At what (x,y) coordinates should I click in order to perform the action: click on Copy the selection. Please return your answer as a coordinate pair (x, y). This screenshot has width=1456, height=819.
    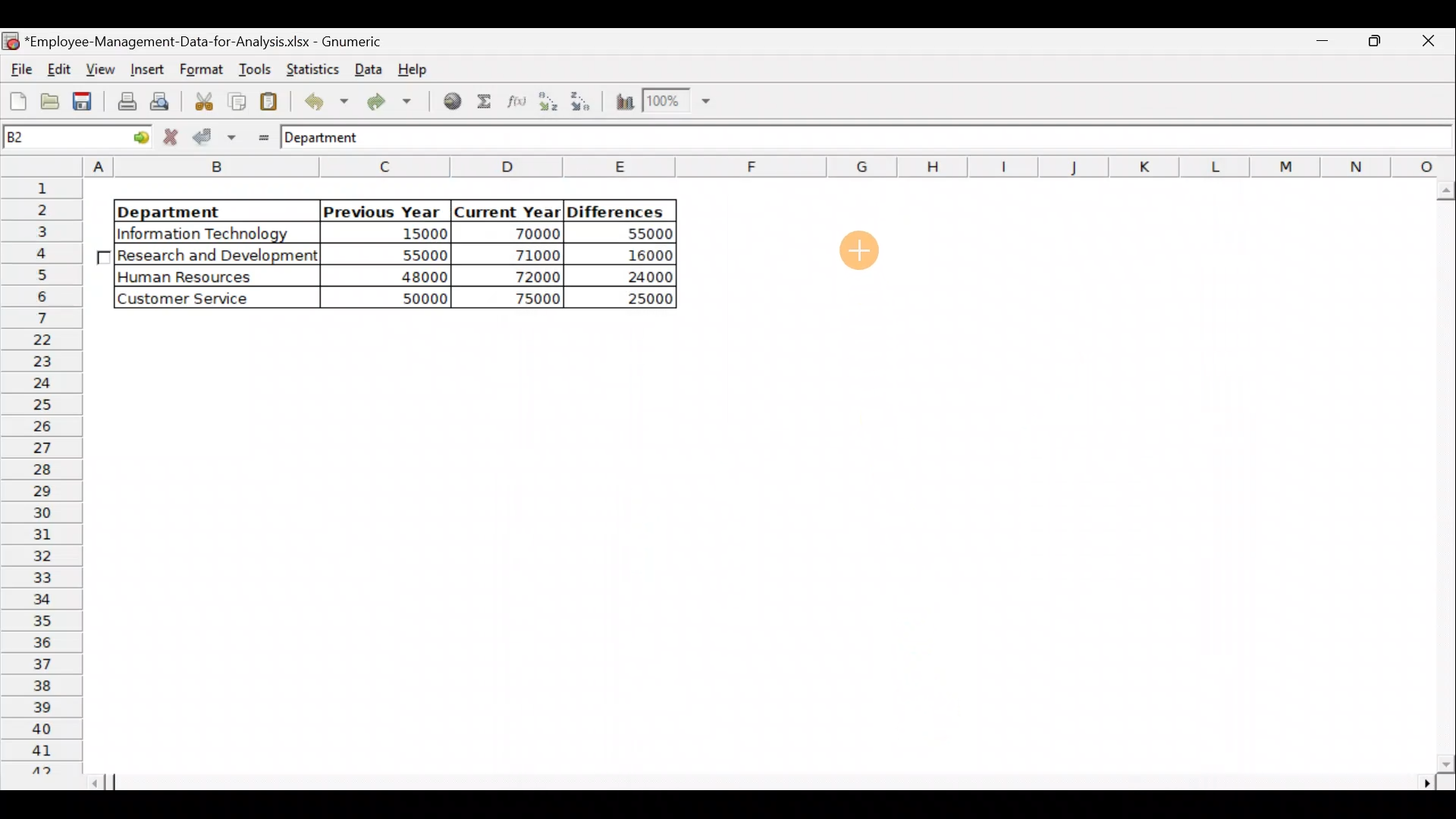
    Looking at the image, I should click on (236, 102).